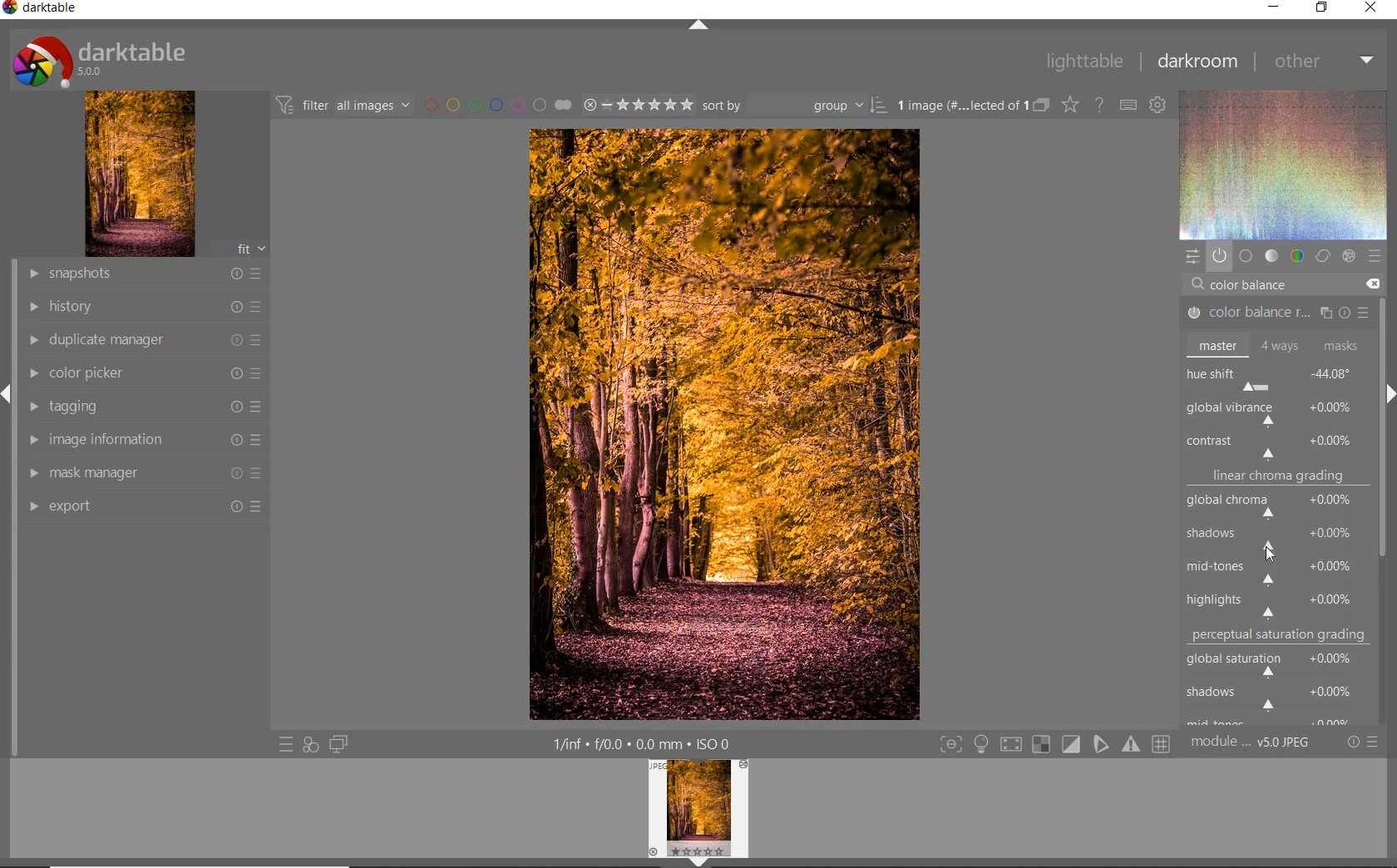 Image resolution: width=1397 pixels, height=868 pixels. What do you see at coordinates (1389, 388) in the screenshot?
I see `expand/collapse` at bounding box center [1389, 388].